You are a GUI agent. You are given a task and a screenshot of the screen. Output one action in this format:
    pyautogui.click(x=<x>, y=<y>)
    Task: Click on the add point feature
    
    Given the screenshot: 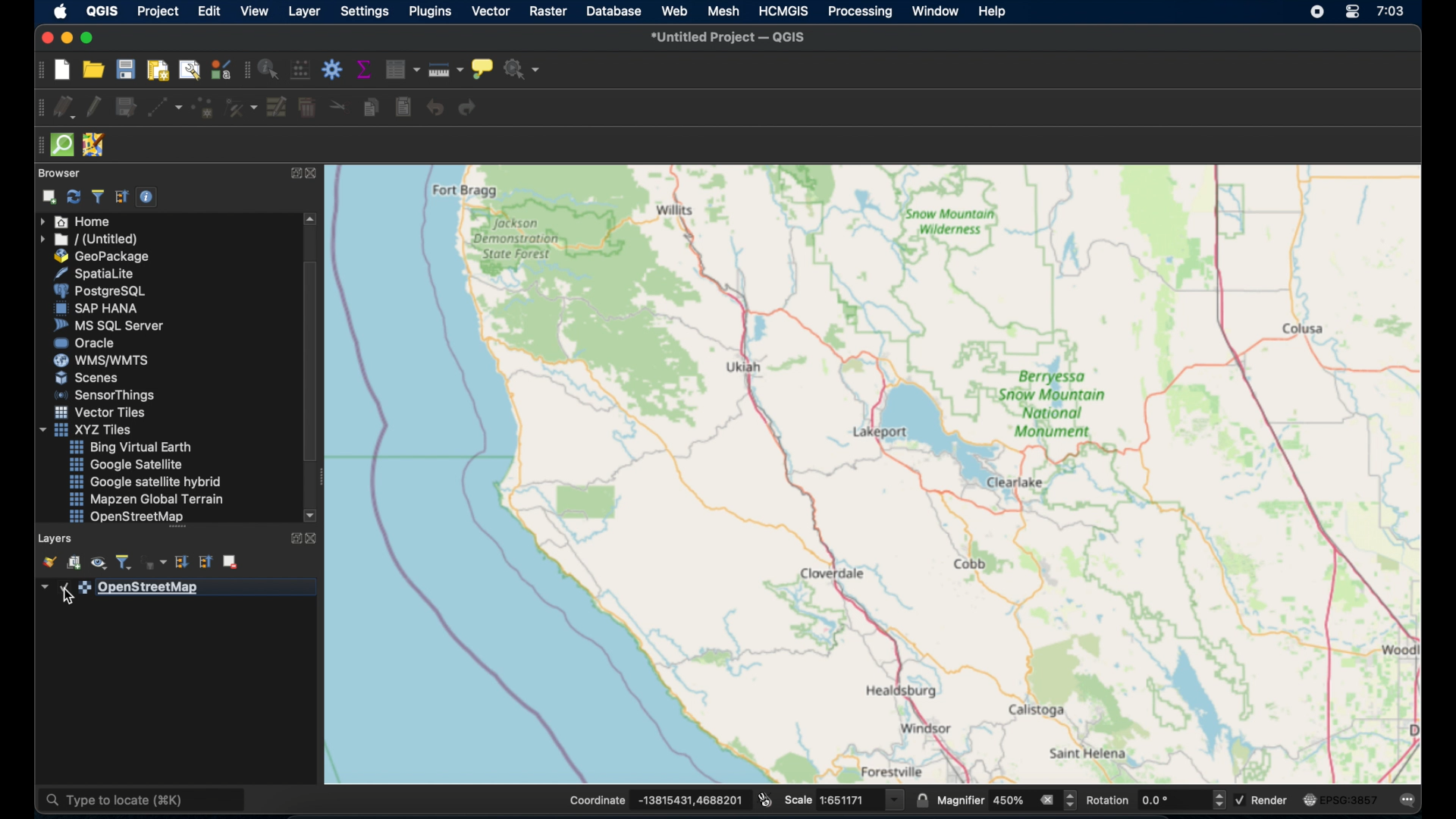 What is the action you would take?
    pyautogui.click(x=202, y=108)
    